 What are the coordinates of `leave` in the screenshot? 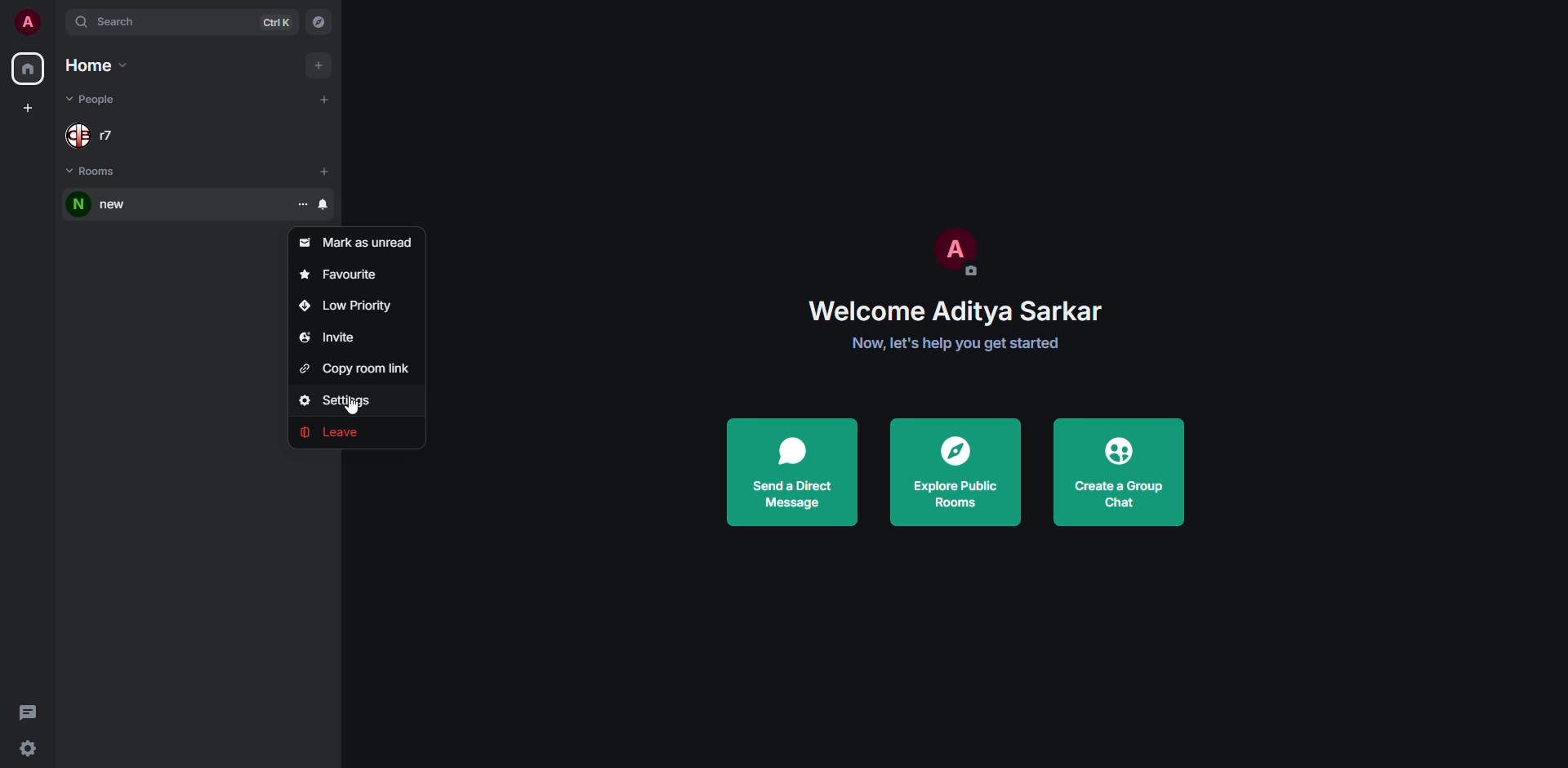 It's located at (340, 432).